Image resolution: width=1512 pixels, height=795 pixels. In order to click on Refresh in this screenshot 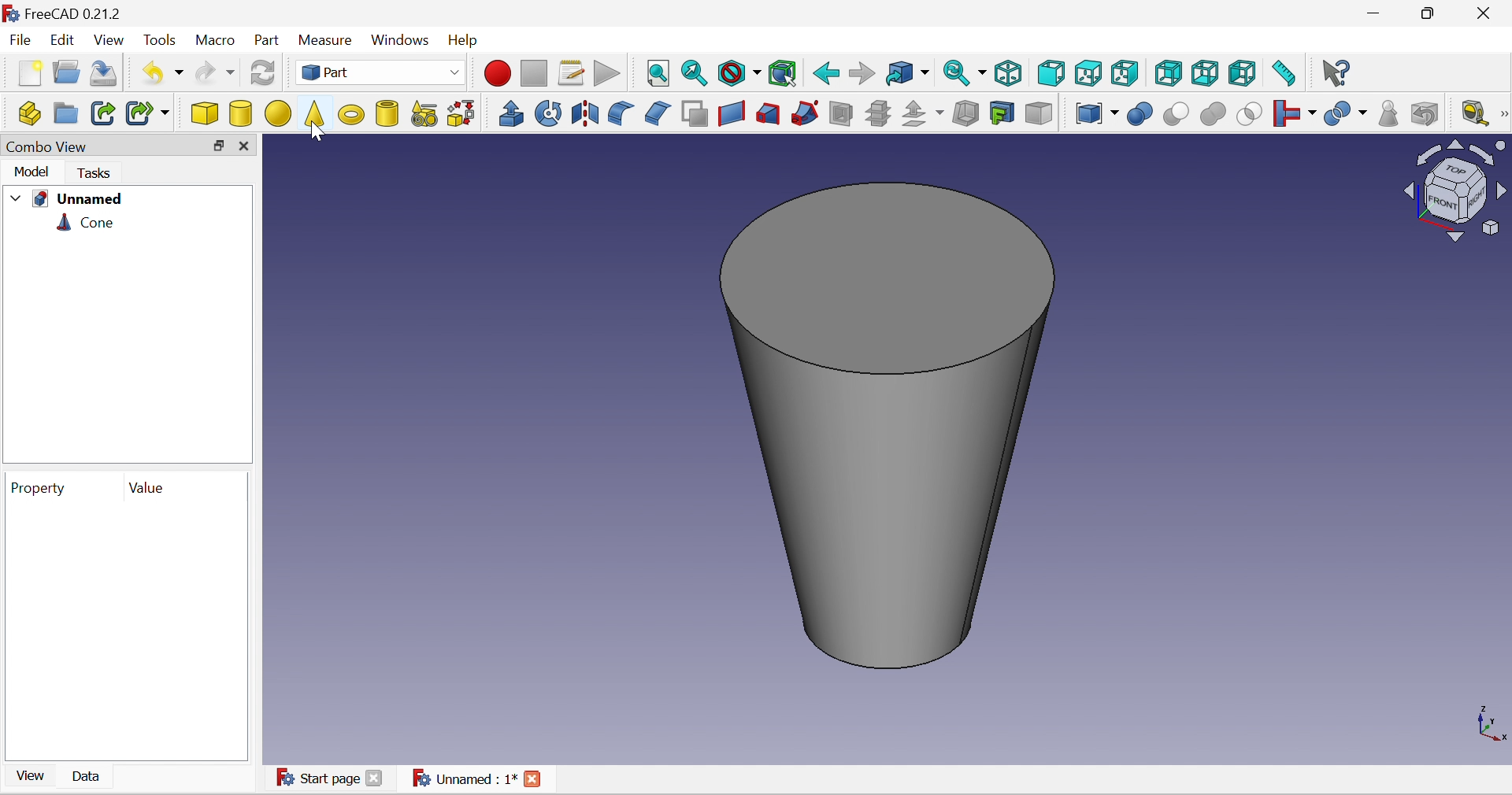, I will do `click(261, 72)`.